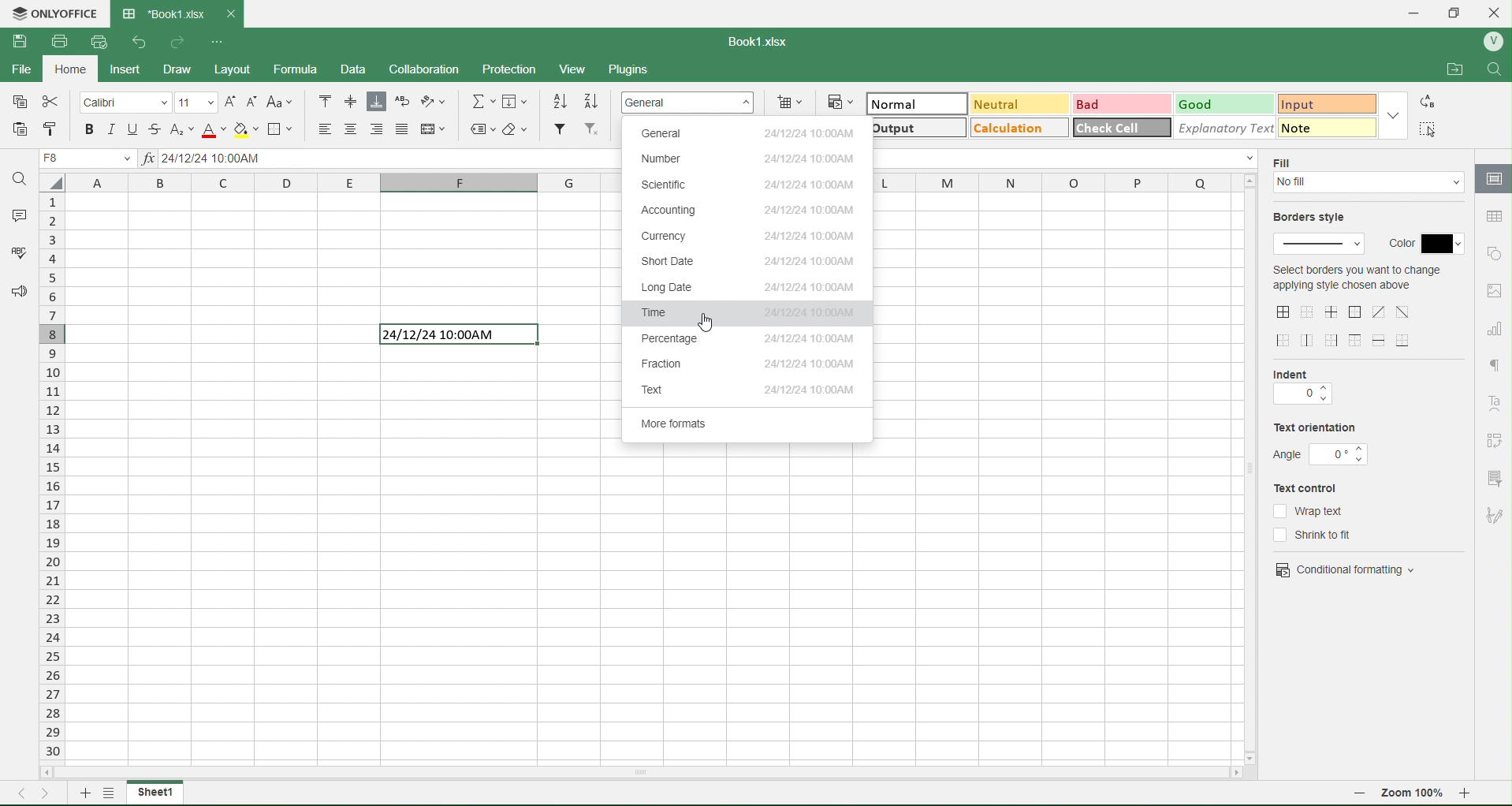 Image resolution: width=1512 pixels, height=806 pixels. Describe the element at coordinates (1495, 330) in the screenshot. I see `charts` at that location.